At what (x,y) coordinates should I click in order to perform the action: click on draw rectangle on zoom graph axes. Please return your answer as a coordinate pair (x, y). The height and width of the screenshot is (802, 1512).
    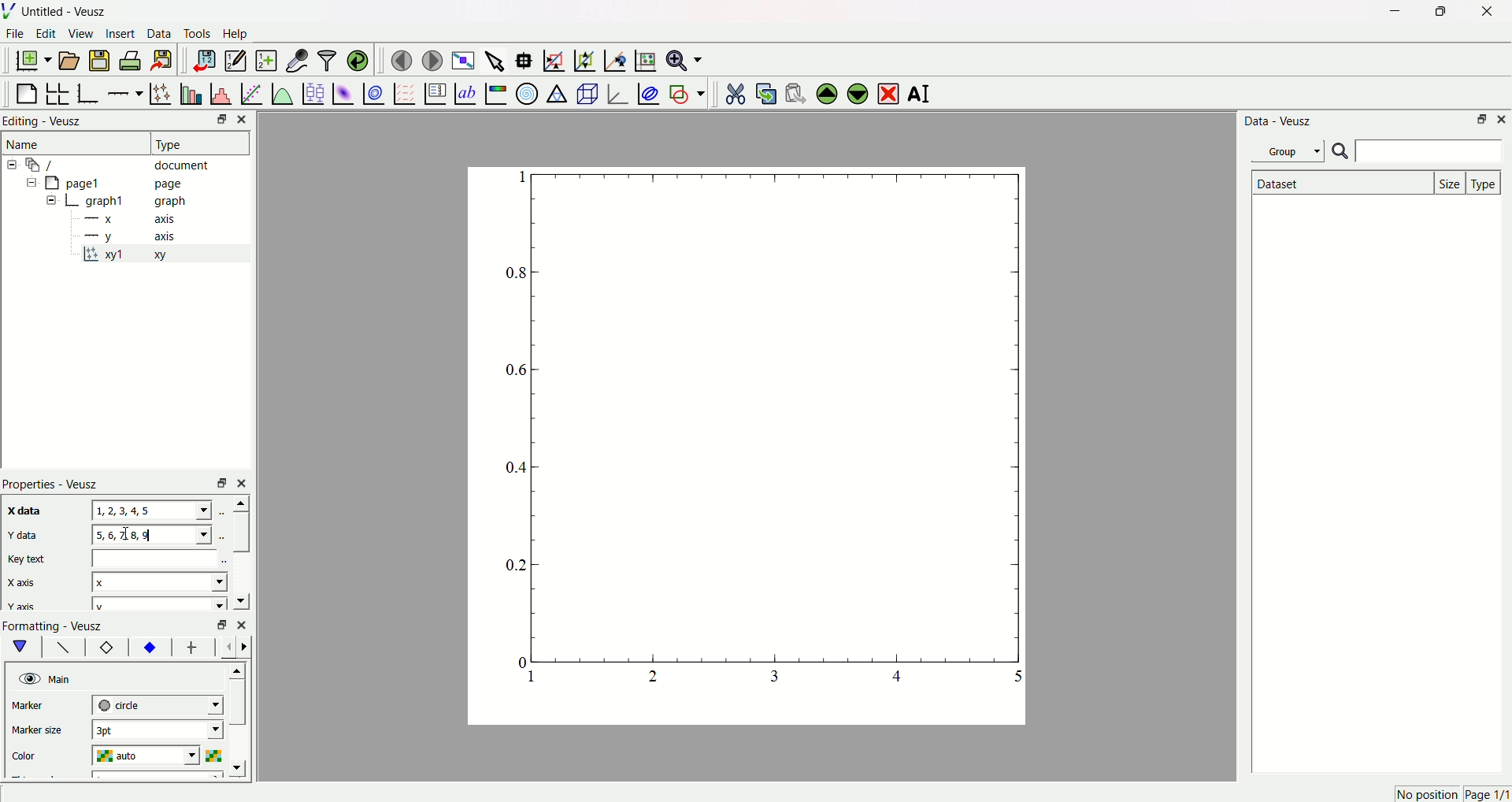
    Looking at the image, I should click on (554, 58).